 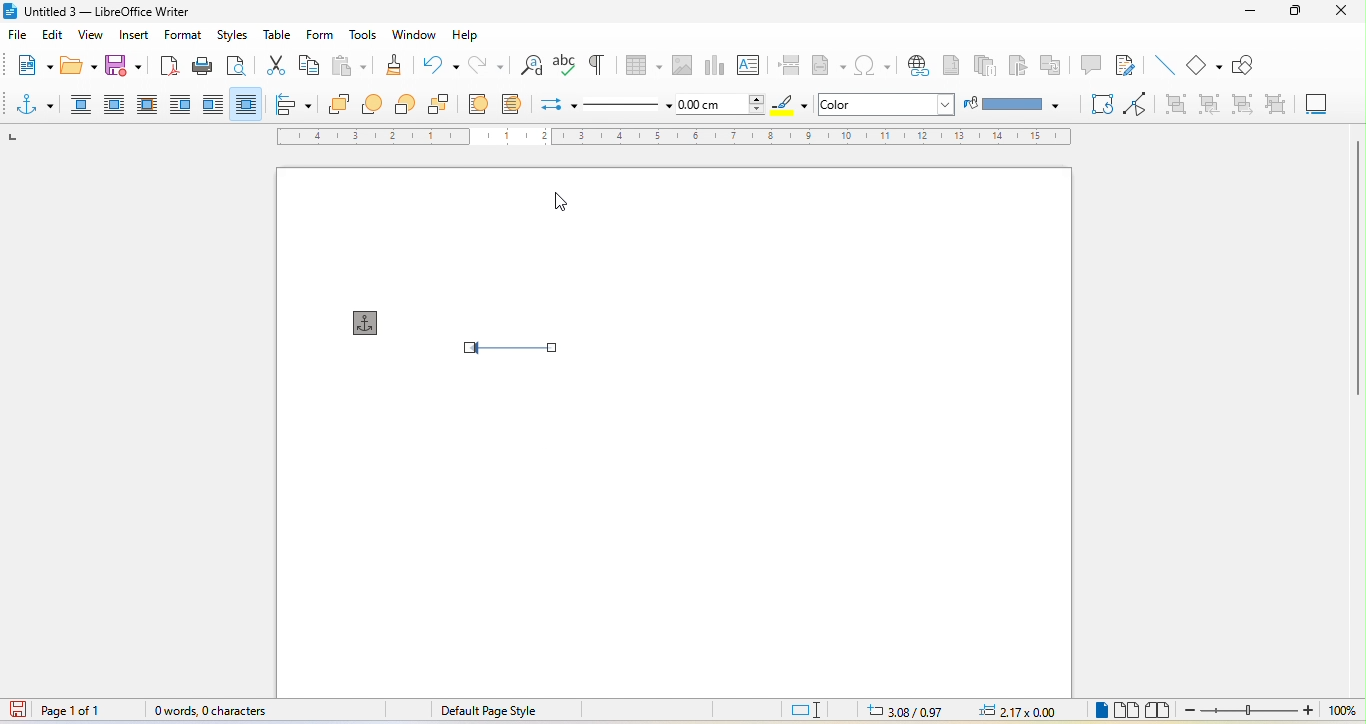 I want to click on line thickness, so click(x=721, y=103).